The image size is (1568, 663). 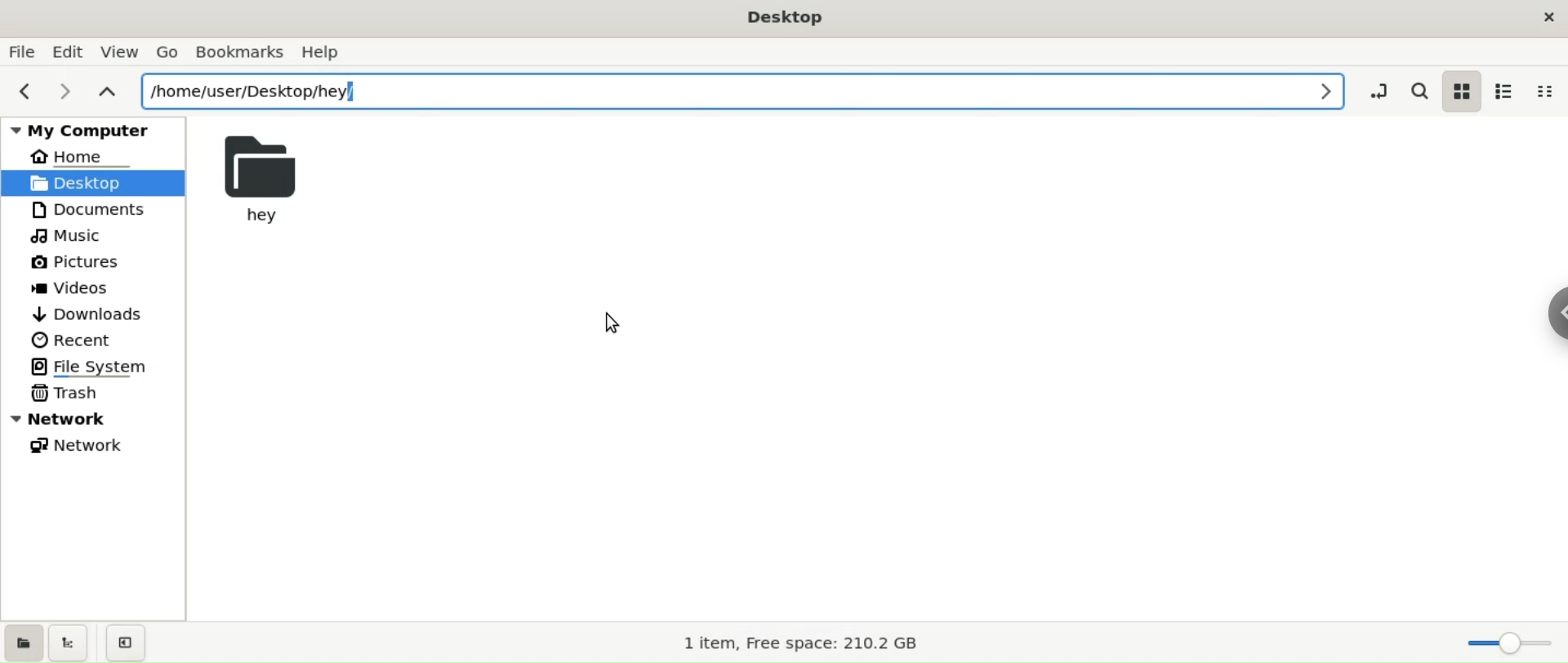 What do you see at coordinates (1417, 90) in the screenshot?
I see `search` at bounding box center [1417, 90].